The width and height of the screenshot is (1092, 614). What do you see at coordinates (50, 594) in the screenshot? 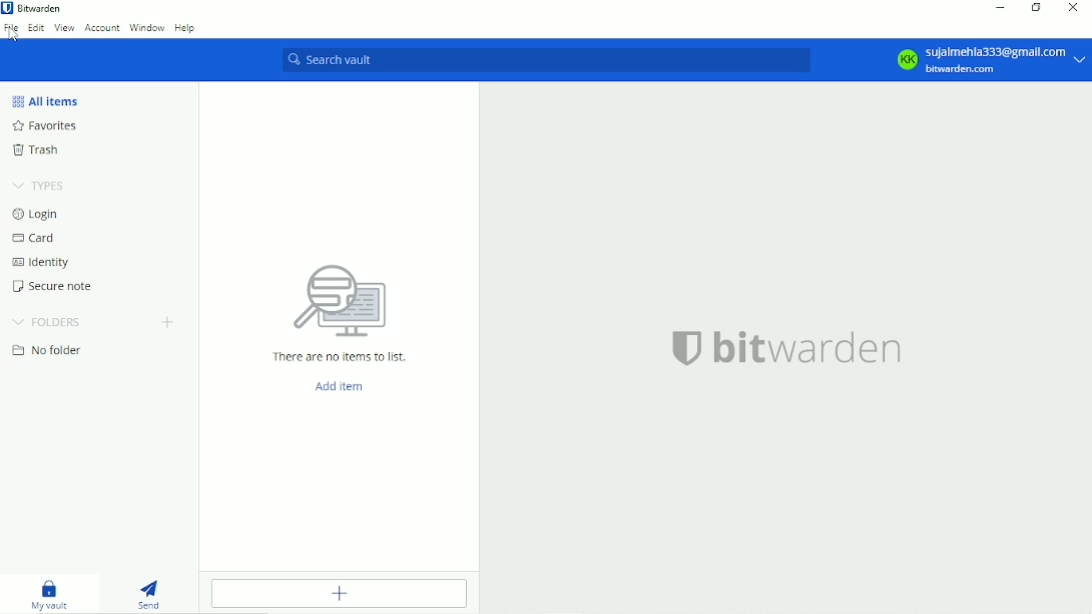
I see `My vault` at bounding box center [50, 594].